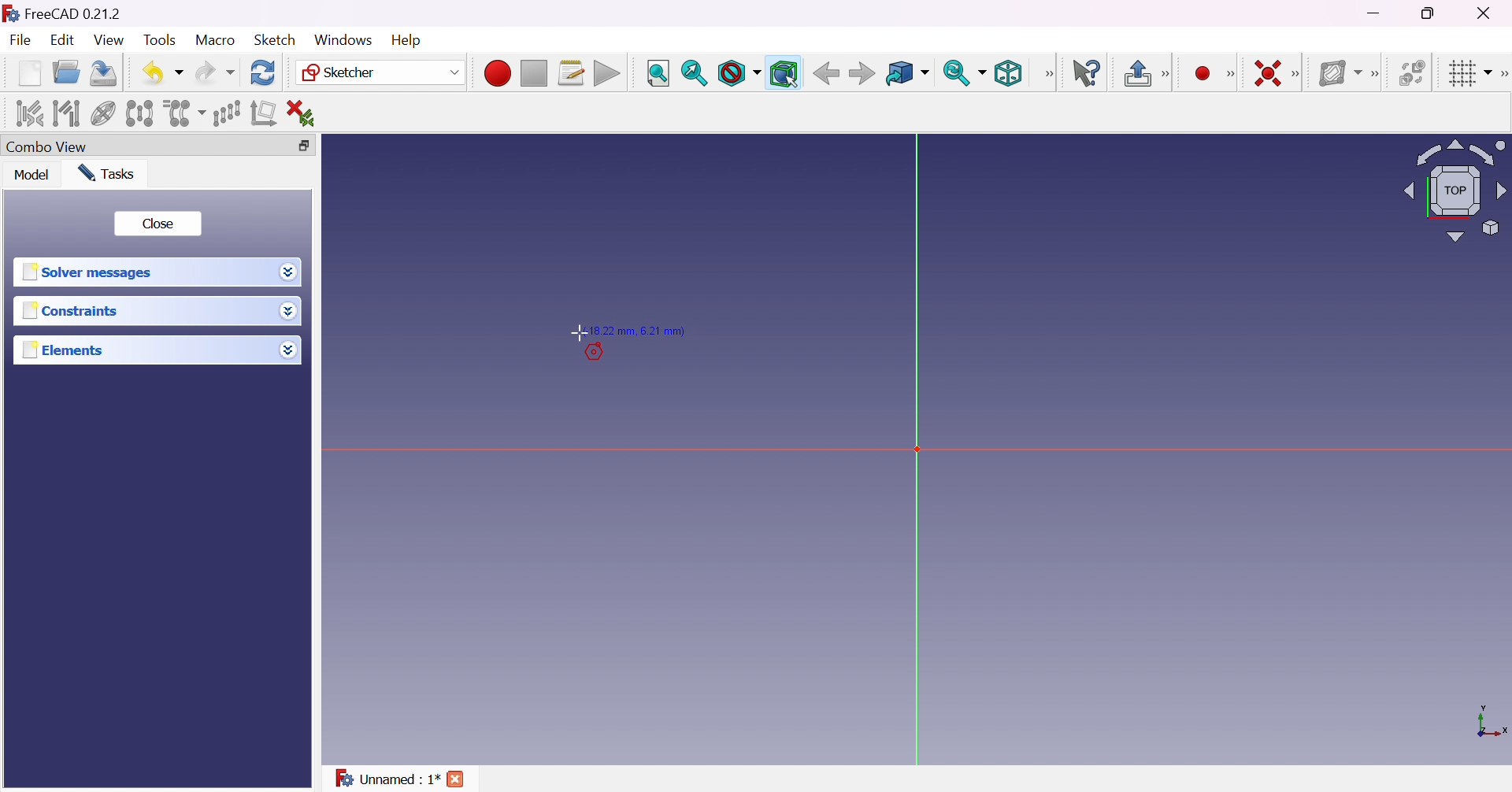 The width and height of the screenshot is (1512, 792). Describe the element at coordinates (287, 270) in the screenshot. I see `Drop down` at that location.